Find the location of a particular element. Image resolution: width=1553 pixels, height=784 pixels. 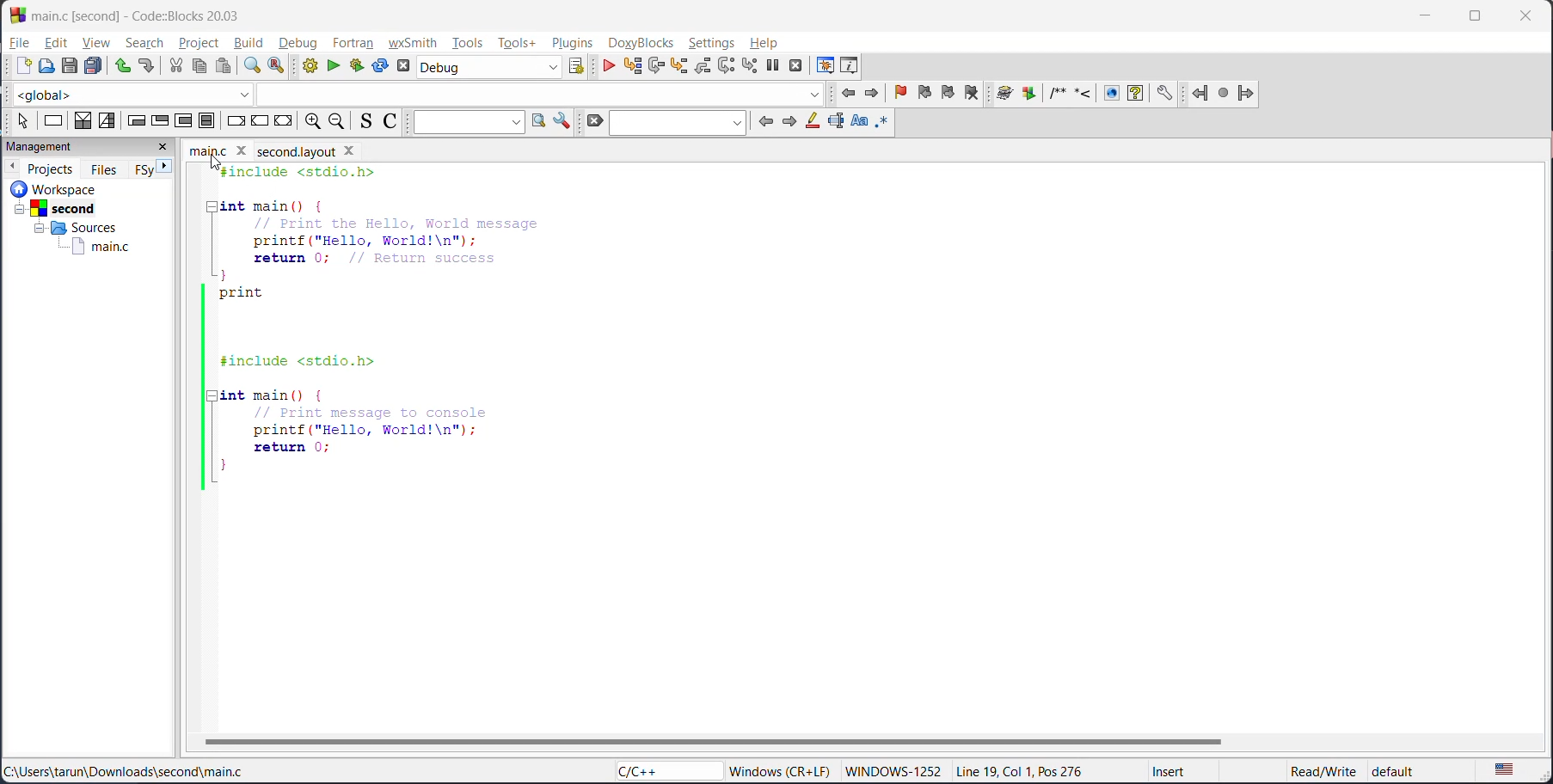

jump forward is located at coordinates (1248, 94).